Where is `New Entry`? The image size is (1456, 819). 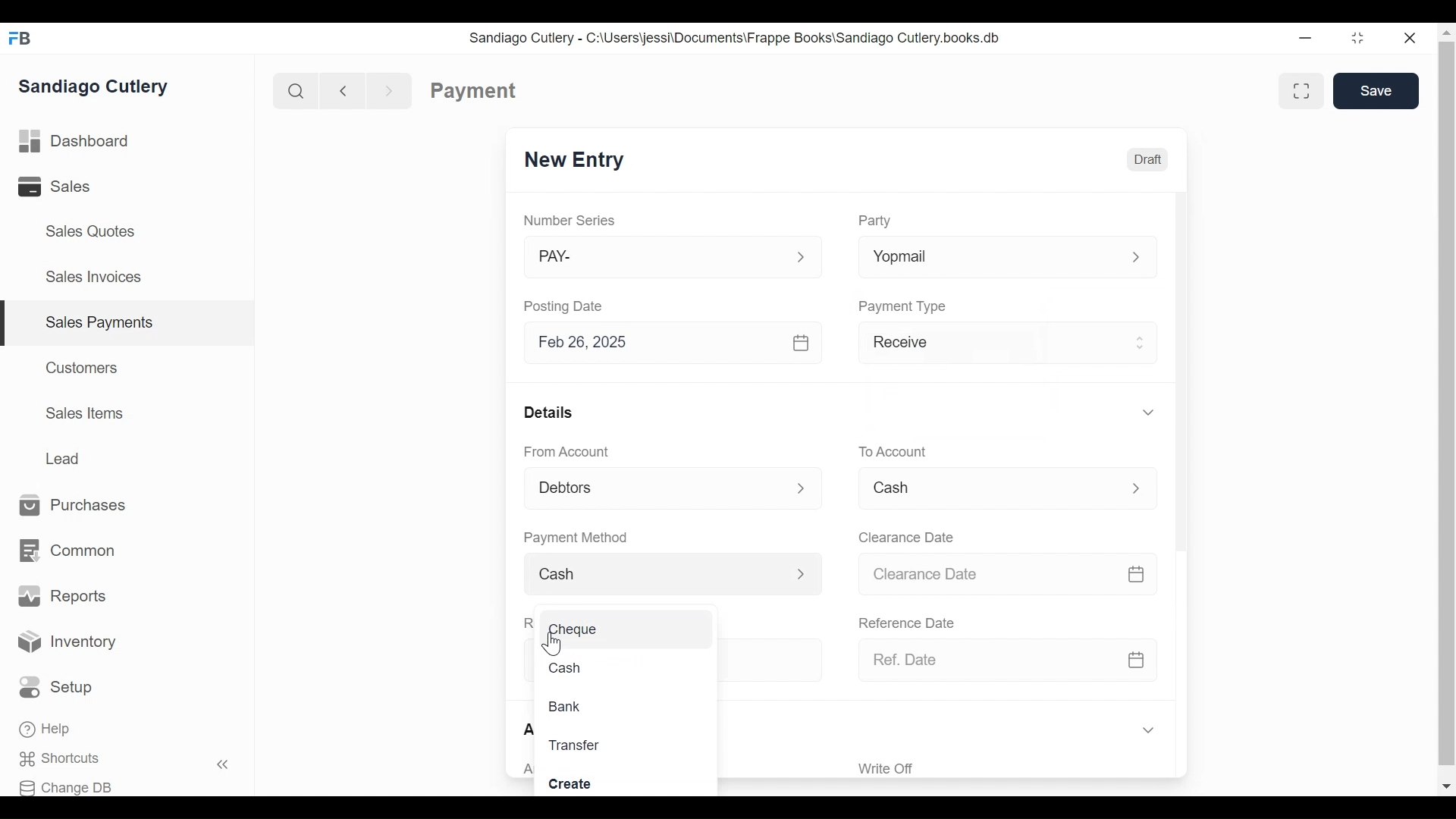
New Entry is located at coordinates (575, 161).